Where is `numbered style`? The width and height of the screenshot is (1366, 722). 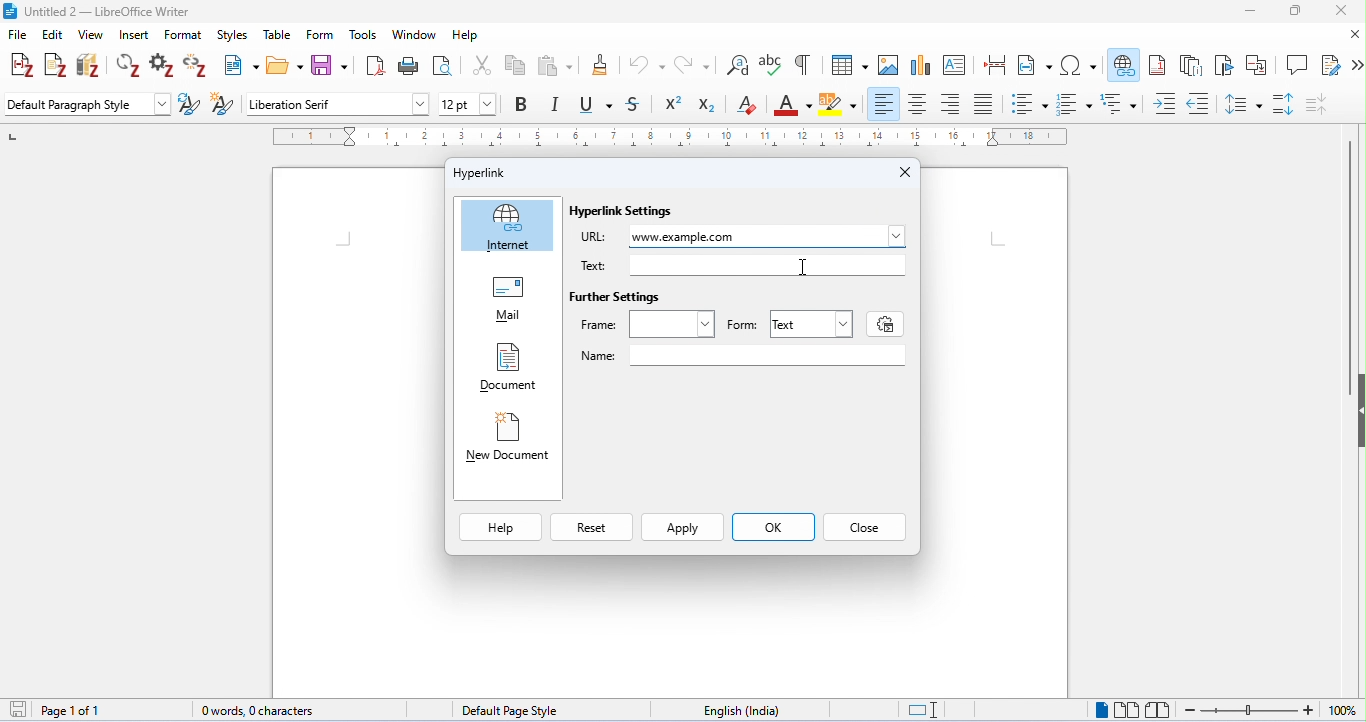
numbered style is located at coordinates (1076, 105).